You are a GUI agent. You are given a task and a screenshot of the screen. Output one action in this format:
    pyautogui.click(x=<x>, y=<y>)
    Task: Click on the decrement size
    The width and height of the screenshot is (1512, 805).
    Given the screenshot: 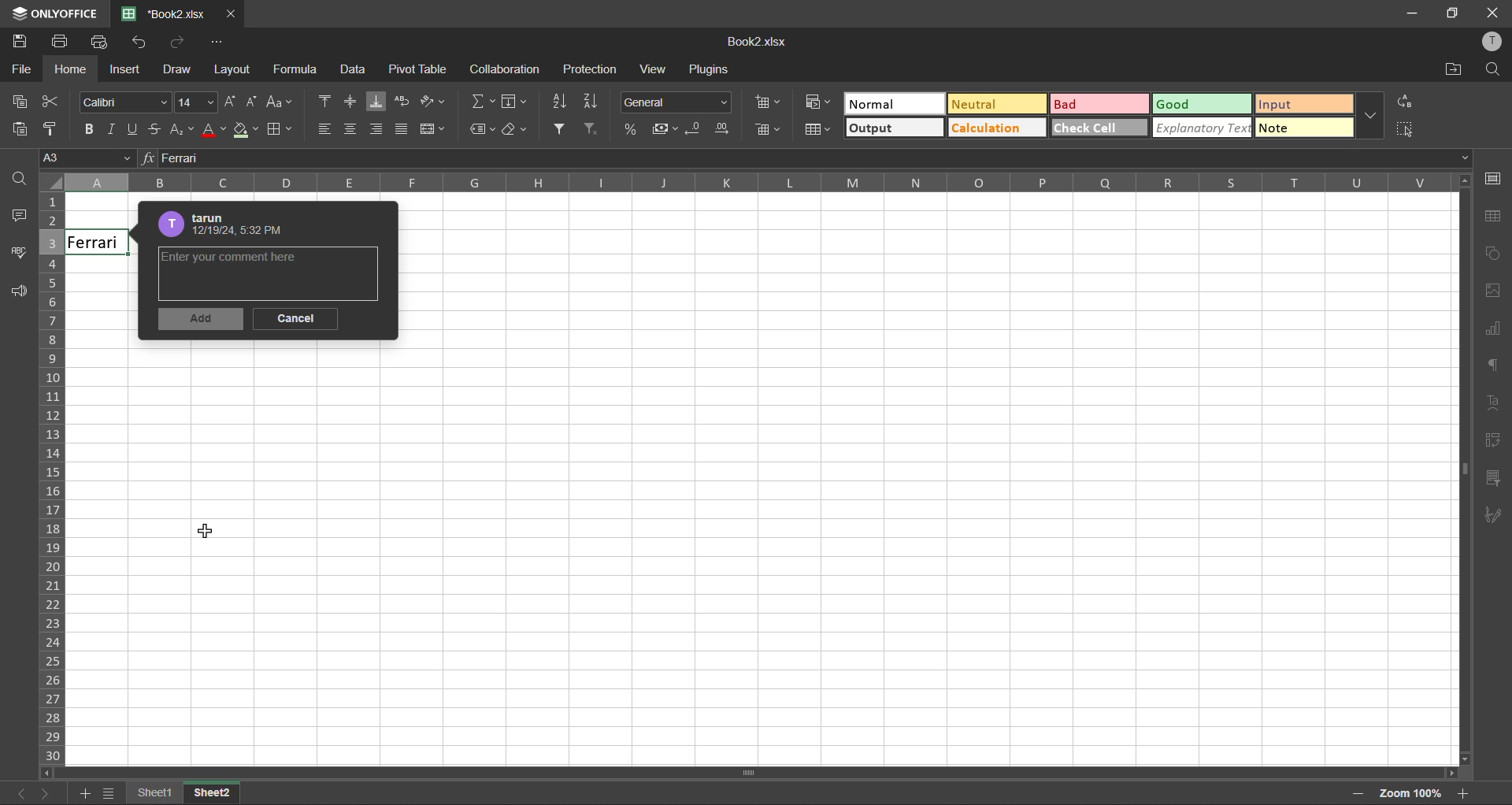 What is the action you would take?
    pyautogui.click(x=253, y=102)
    